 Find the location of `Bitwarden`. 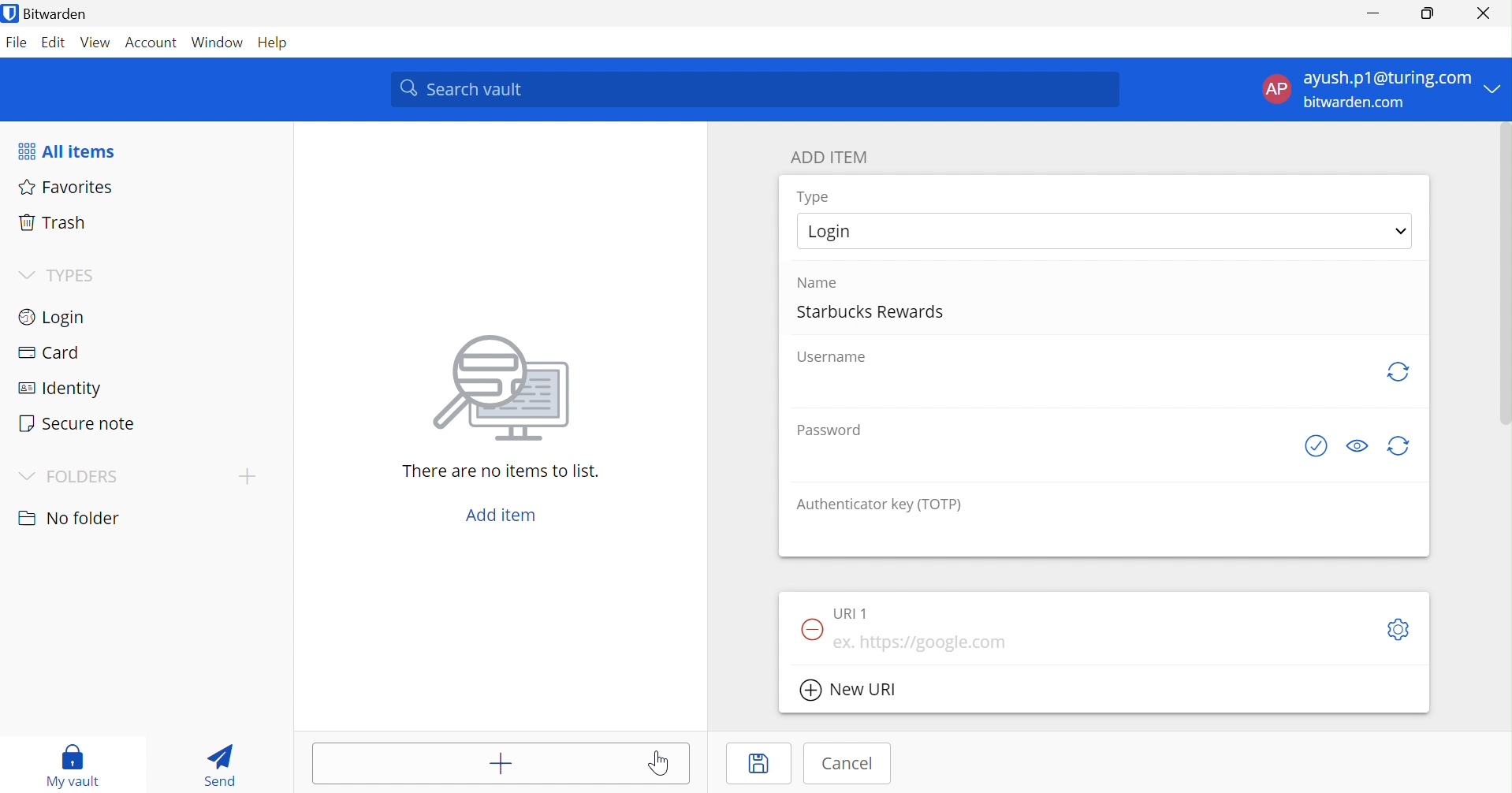

Bitwarden is located at coordinates (48, 13).